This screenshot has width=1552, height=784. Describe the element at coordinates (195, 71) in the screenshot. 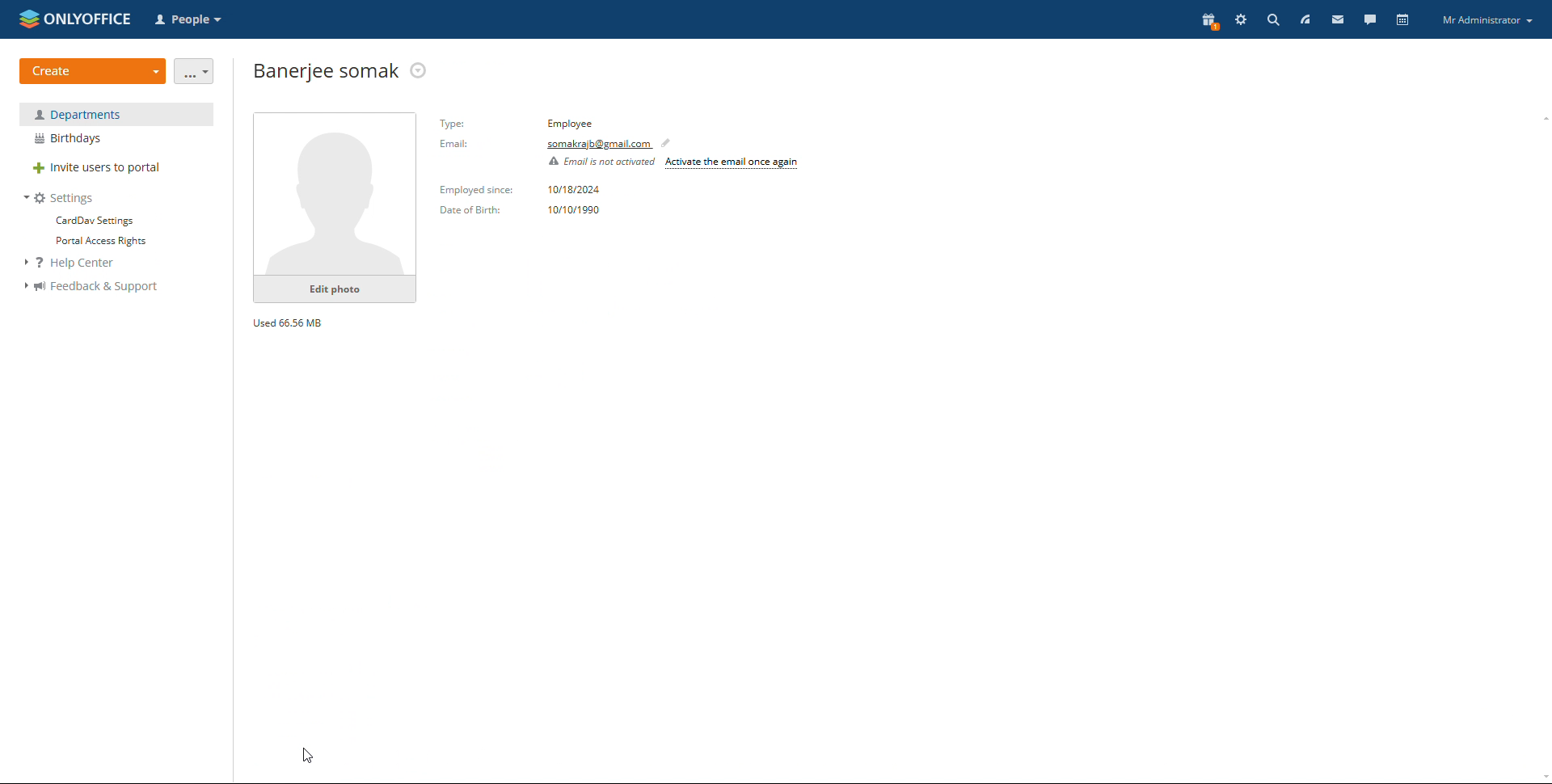

I see `more actions` at that location.